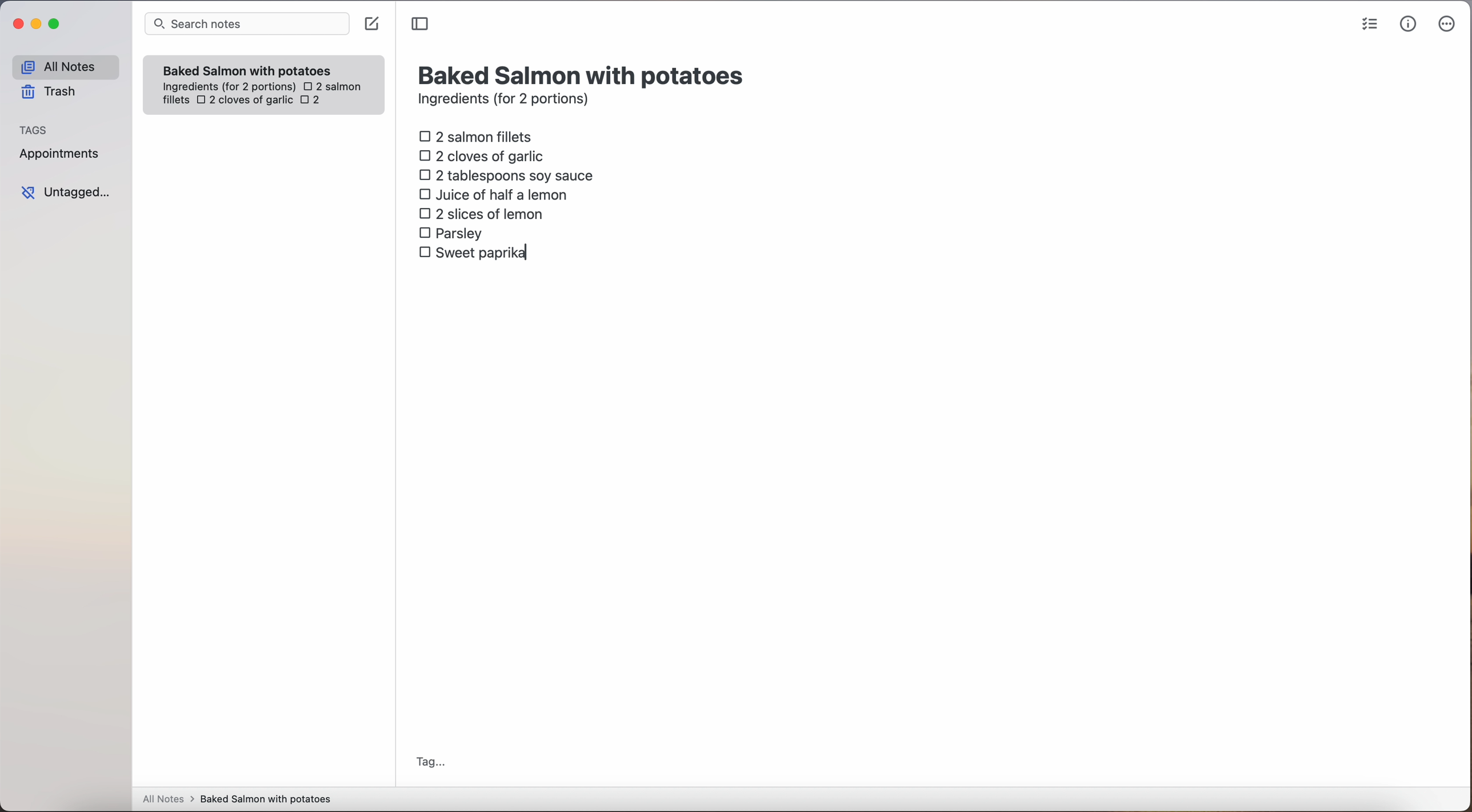 The image size is (1472, 812). Describe the element at coordinates (430, 763) in the screenshot. I see `tag` at that location.